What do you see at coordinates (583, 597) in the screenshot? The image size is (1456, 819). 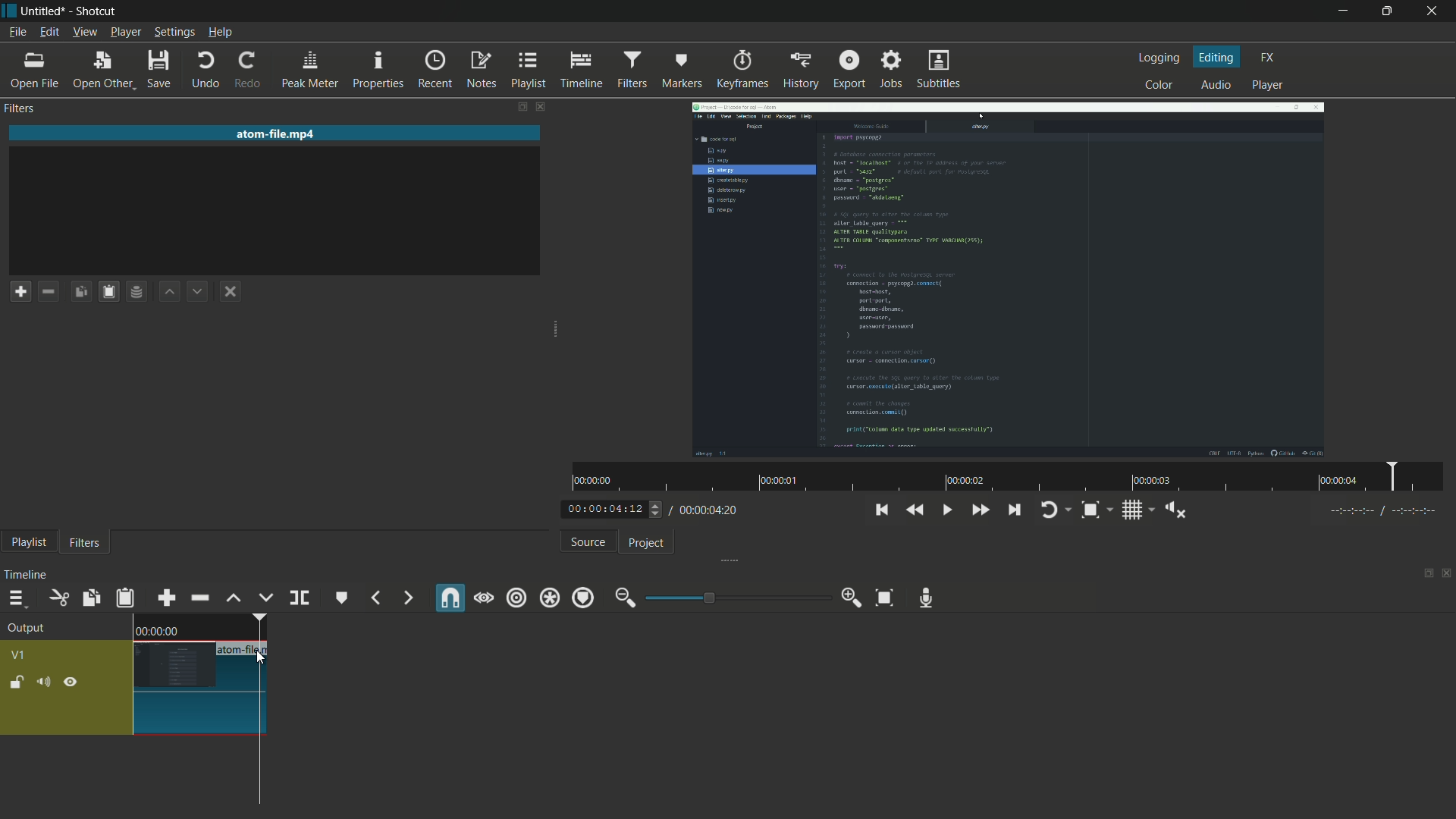 I see `ripple markers` at bounding box center [583, 597].